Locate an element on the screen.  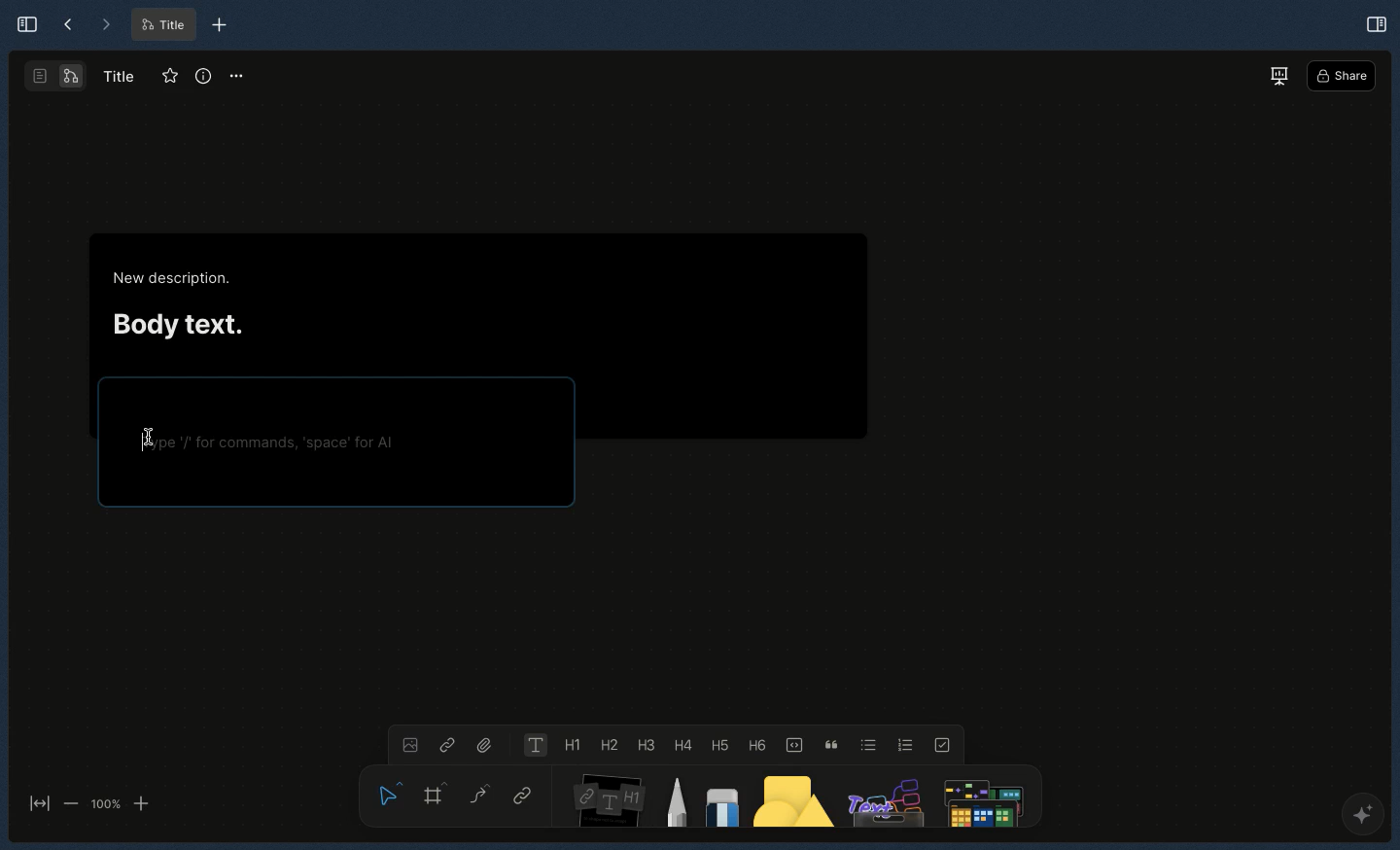
Title is located at coordinates (161, 25).